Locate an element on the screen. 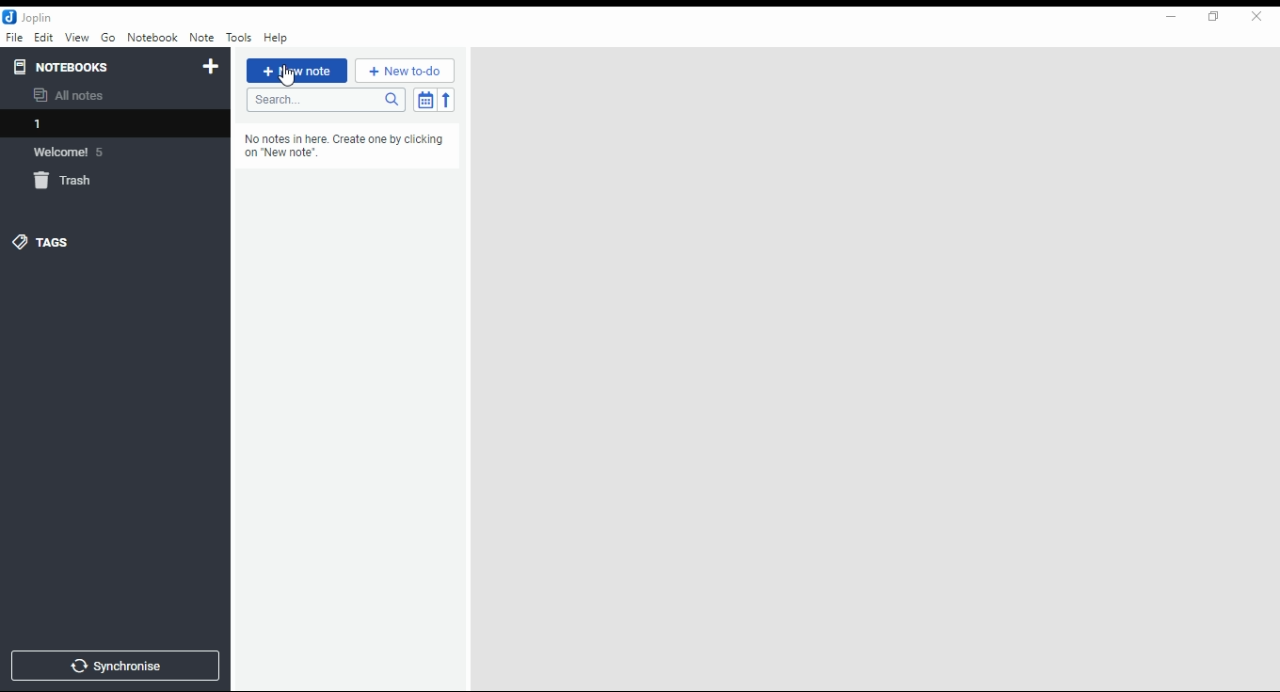  tools is located at coordinates (240, 38).